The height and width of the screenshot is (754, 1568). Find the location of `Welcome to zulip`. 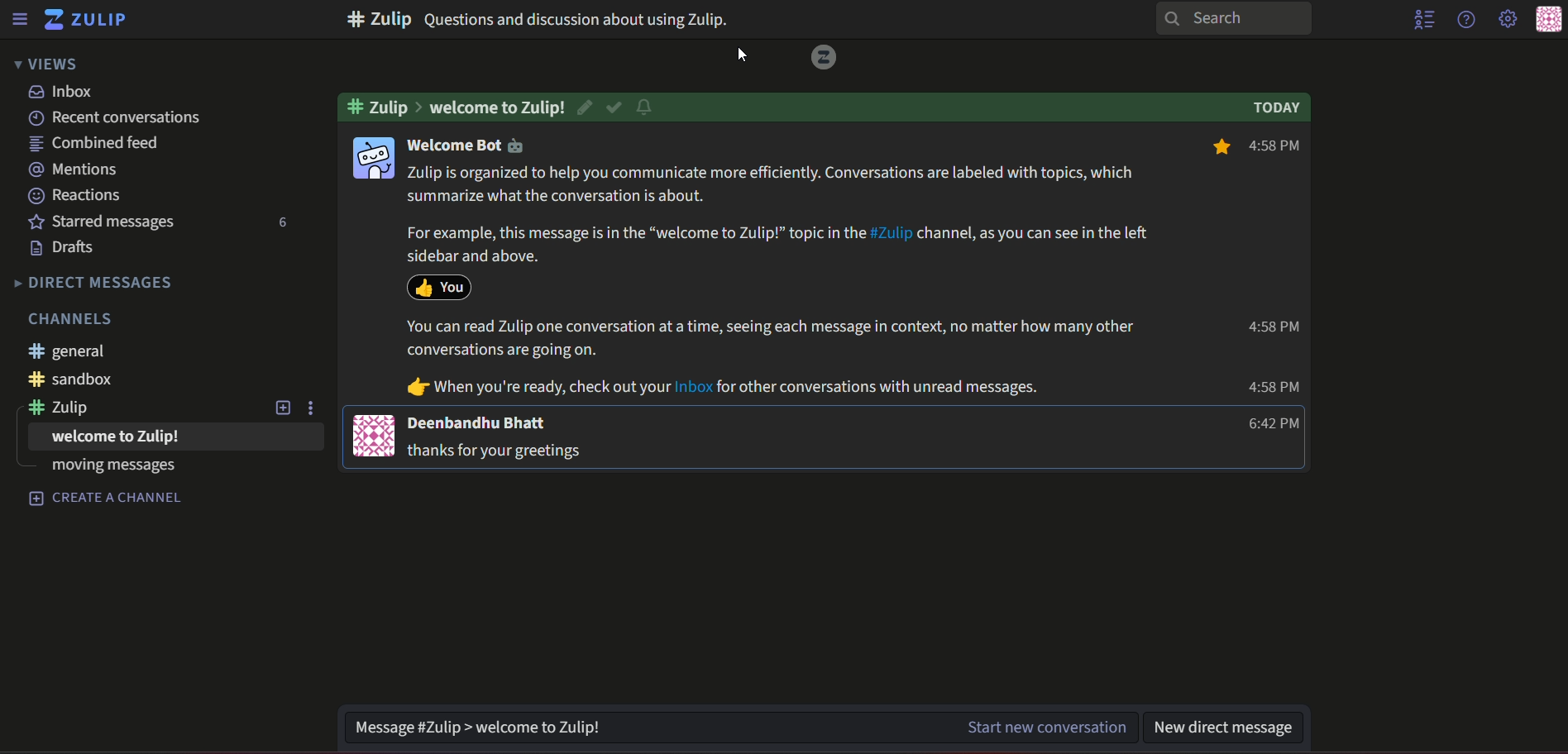

Welcome to zulip is located at coordinates (116, 437).